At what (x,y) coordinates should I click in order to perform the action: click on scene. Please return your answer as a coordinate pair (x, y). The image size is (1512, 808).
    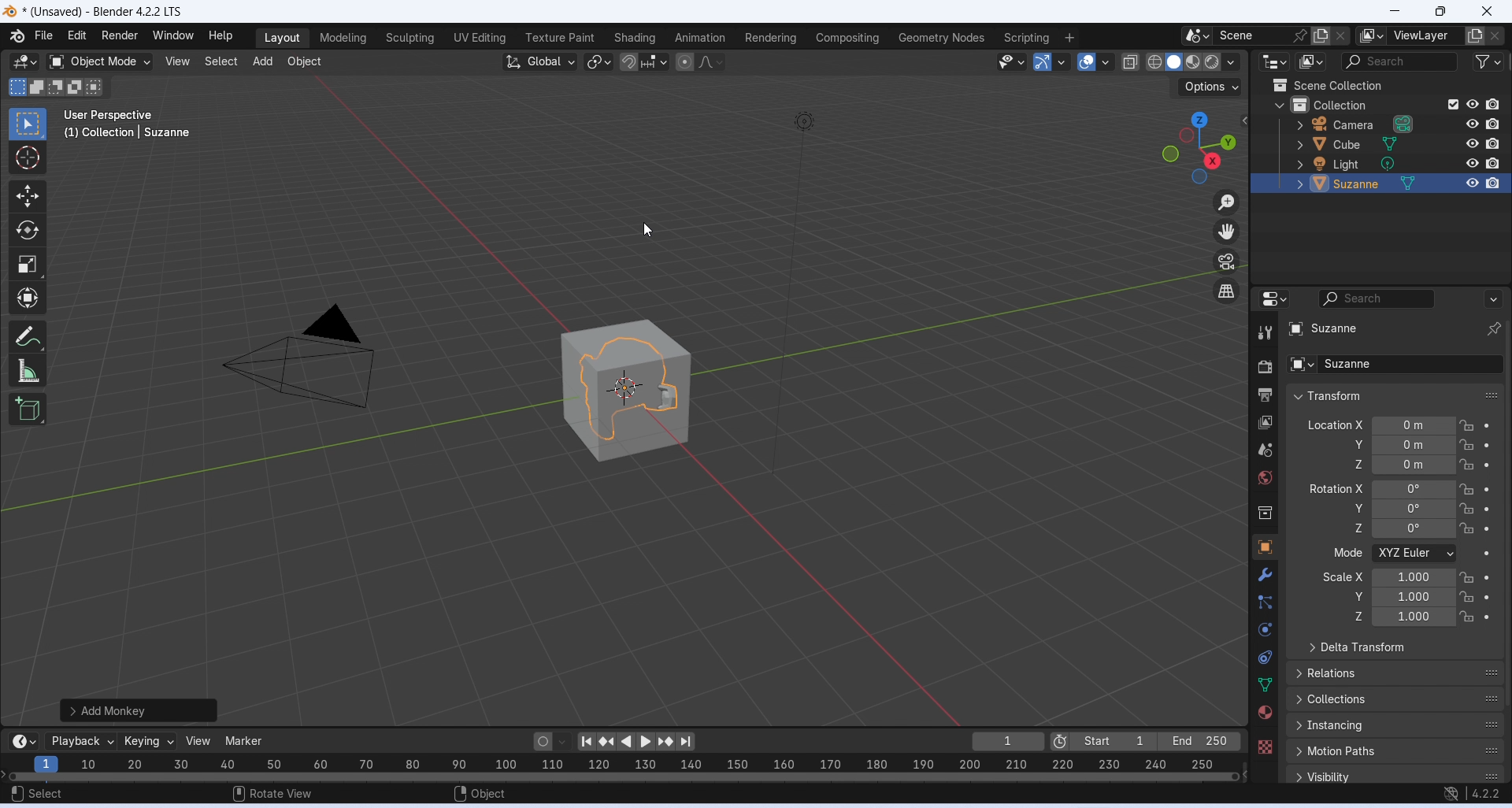
    Looking at the image, I should click on (1265, 450).